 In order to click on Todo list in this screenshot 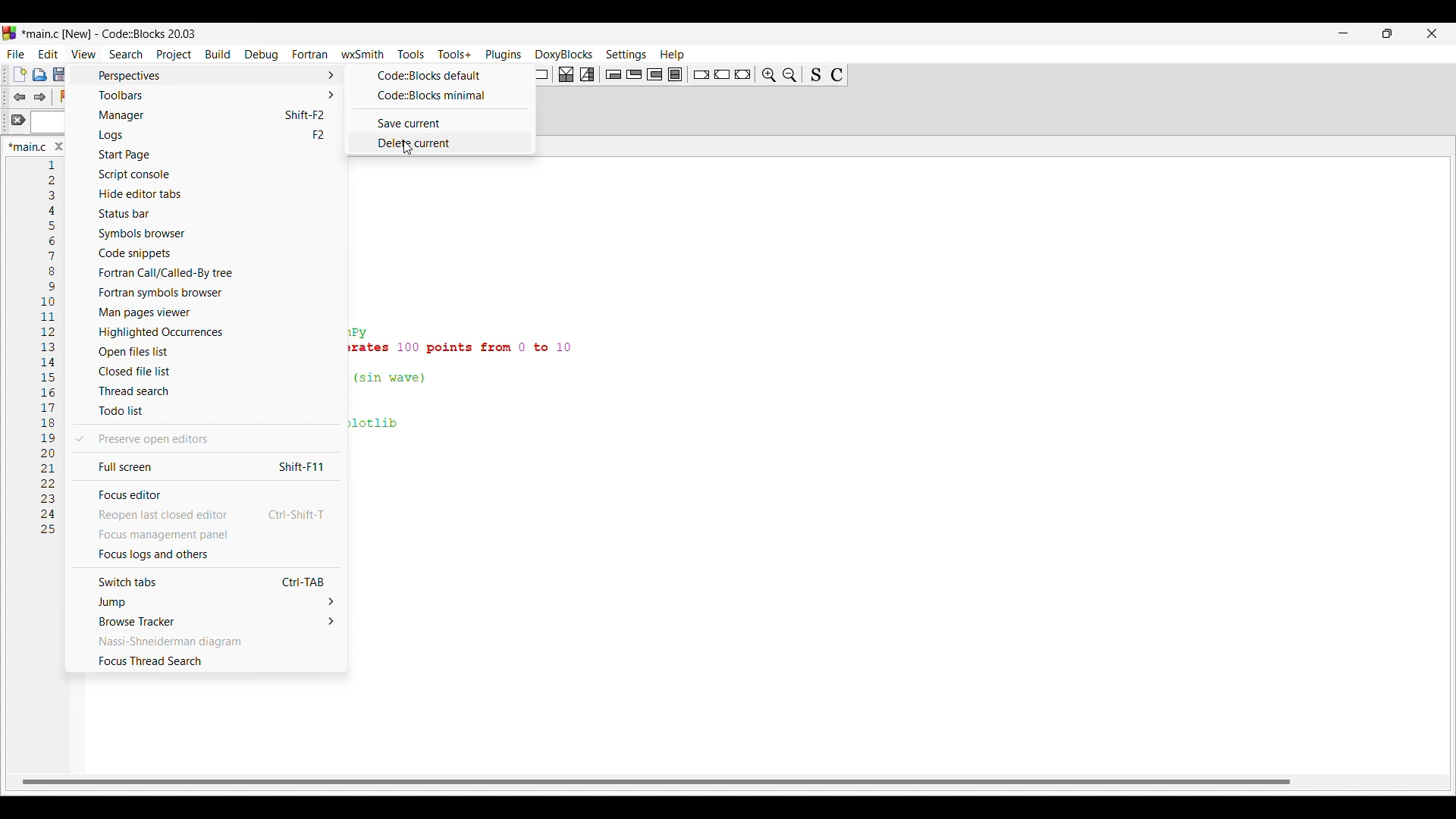, I will do `click(208, 411)`.